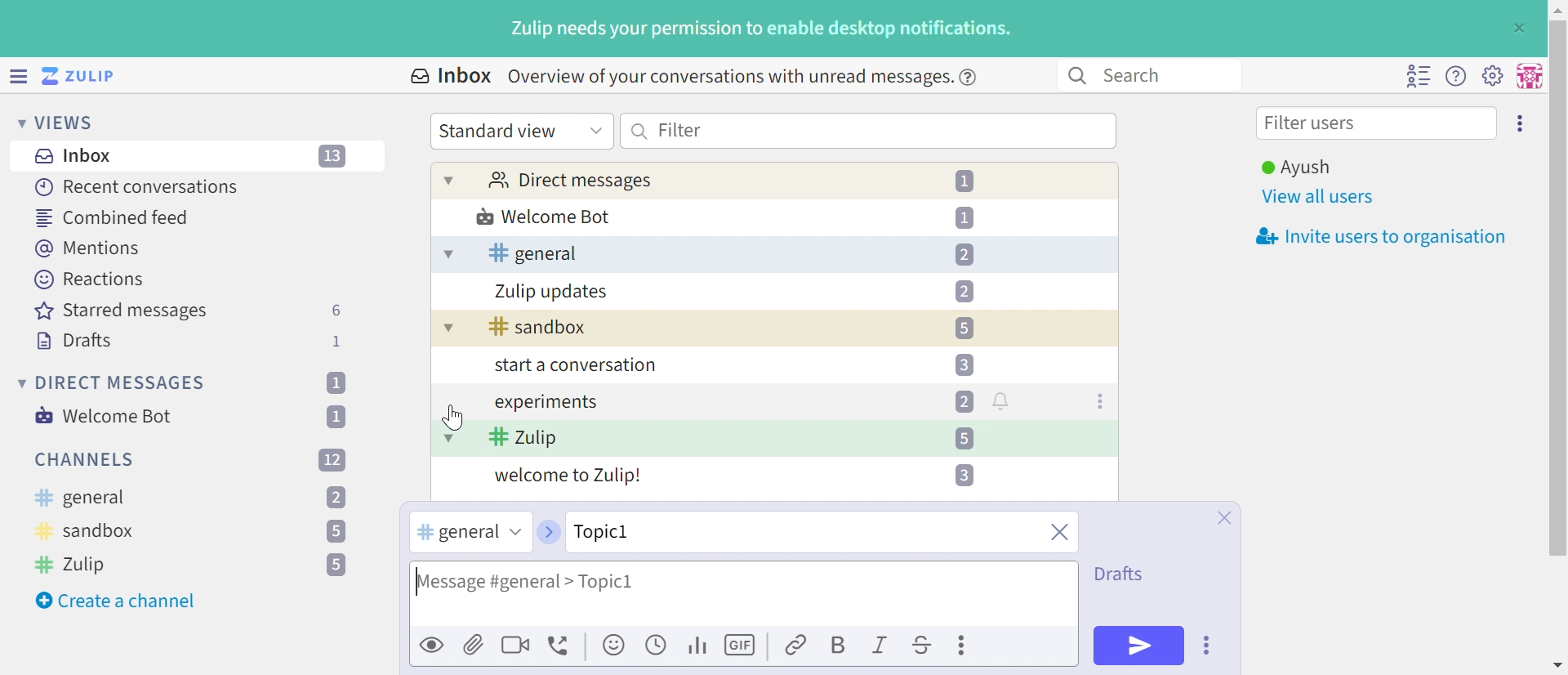 This screenshot has height=675, width=1568. What do you see at coordinates (455, 418) in the screenshot?
I see `Cursor` at bounding box center [455, 418].